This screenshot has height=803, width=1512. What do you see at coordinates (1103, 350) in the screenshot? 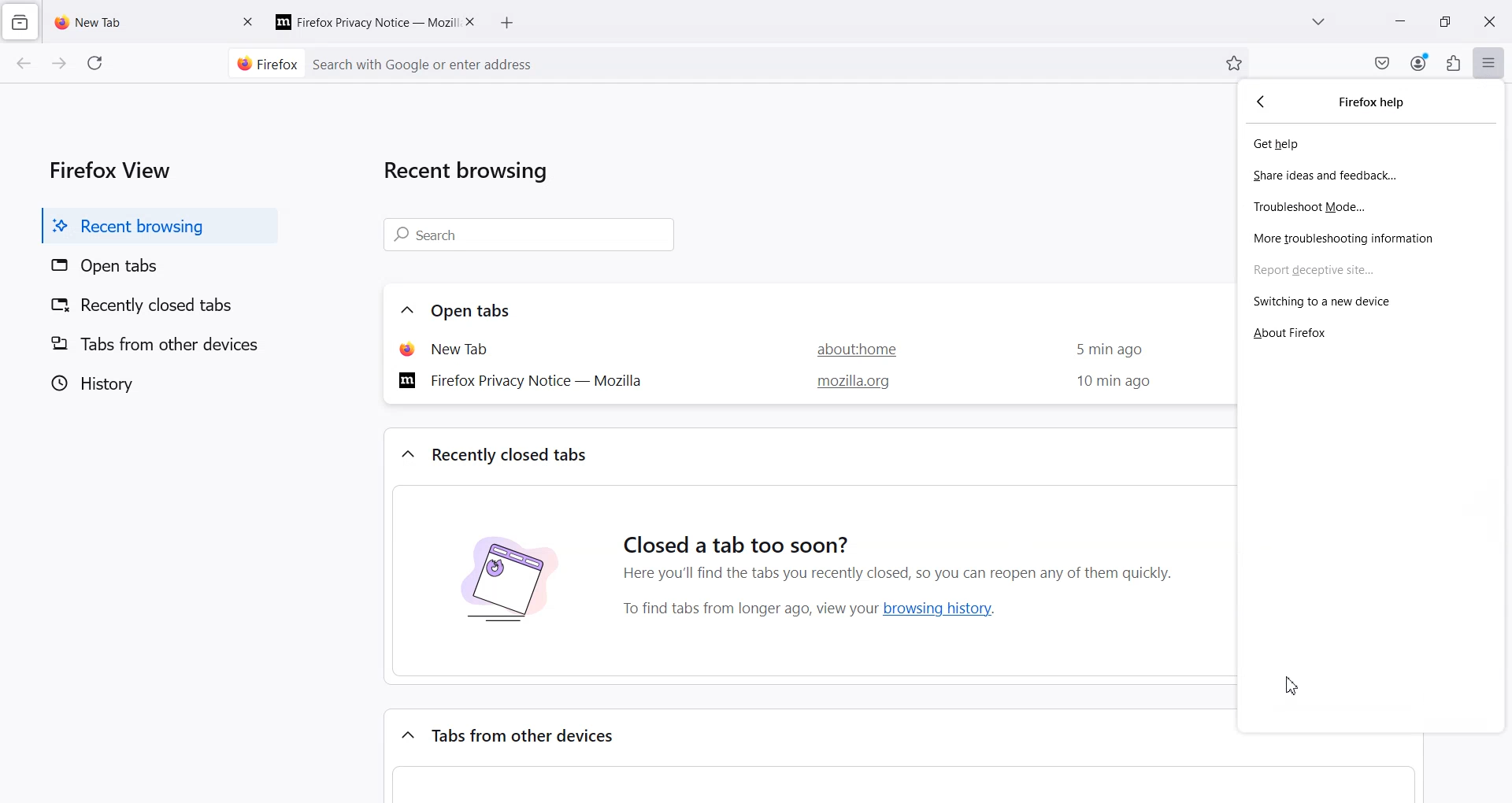
I see `3 min ago` at bounding box center [1103, 350].